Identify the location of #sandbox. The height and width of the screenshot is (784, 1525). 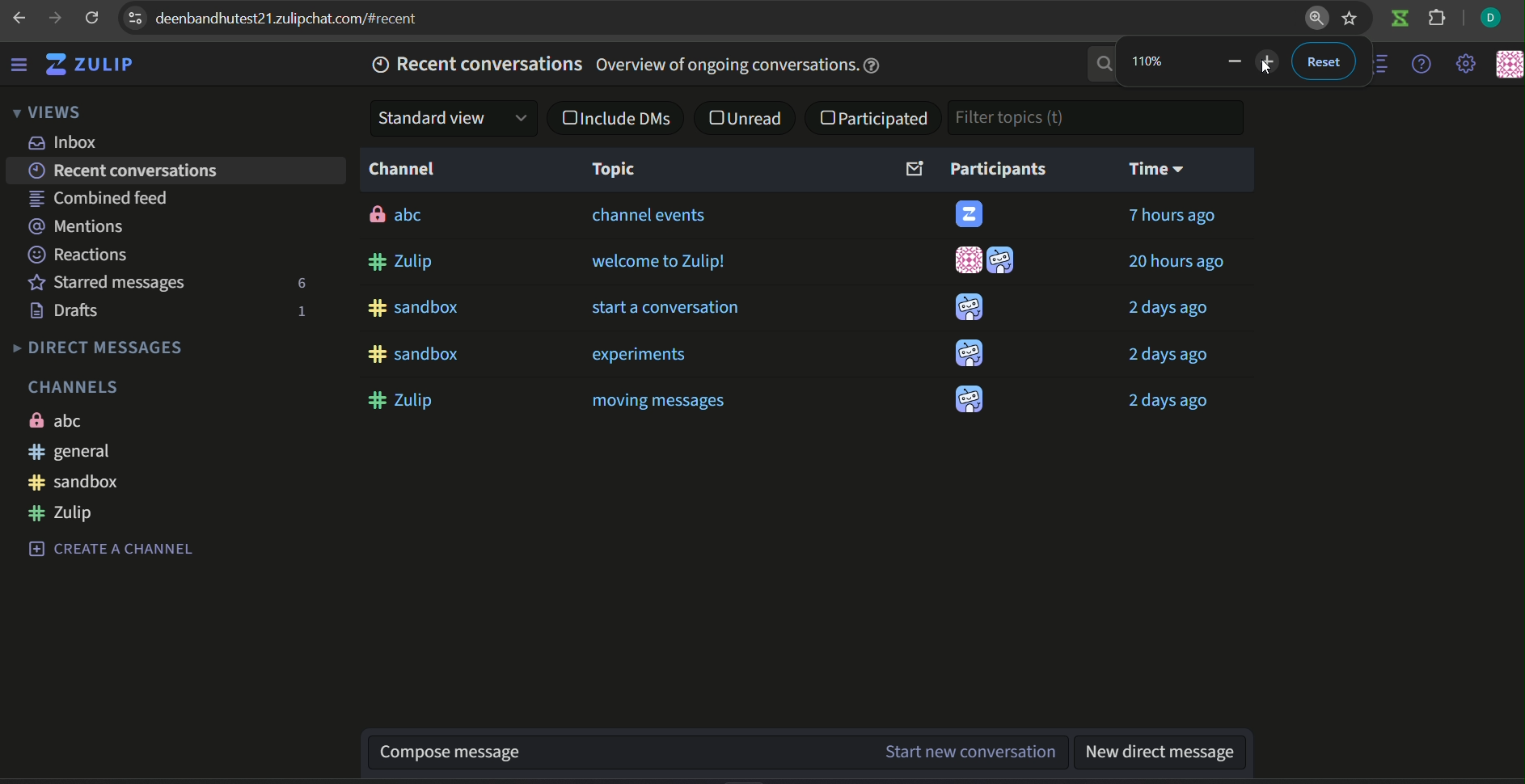
(415, 309).